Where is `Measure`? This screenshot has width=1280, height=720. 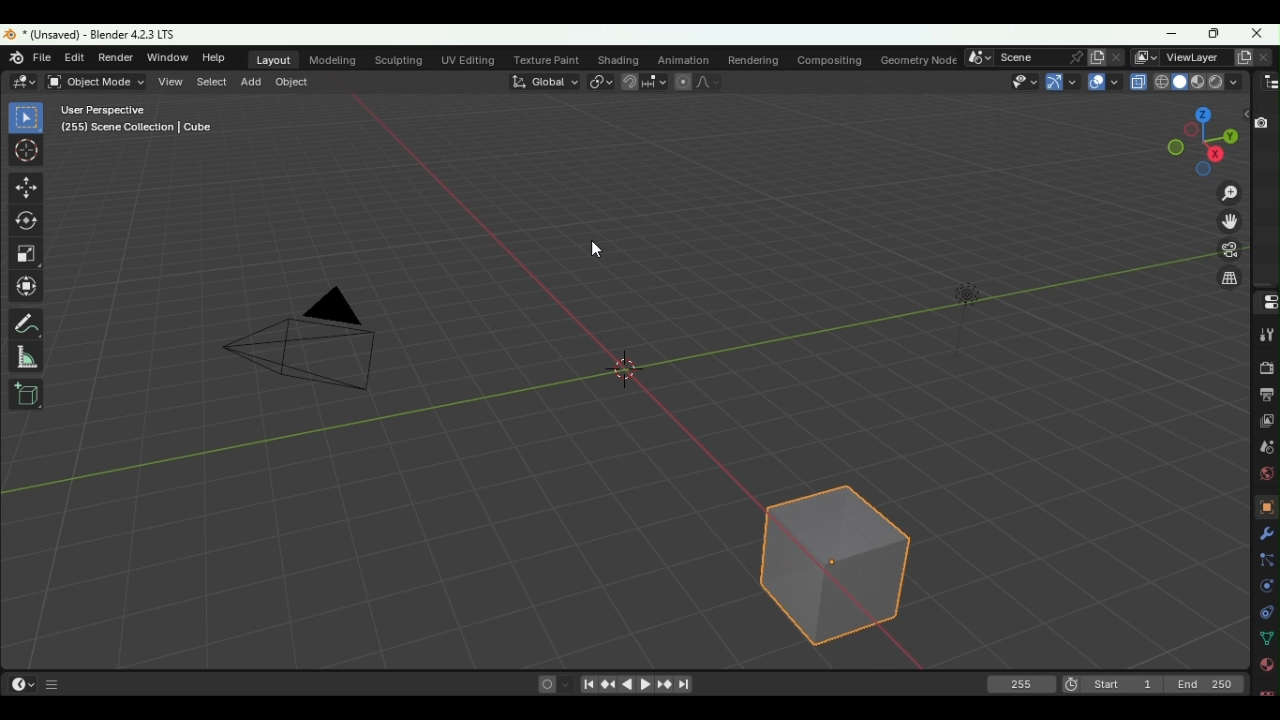
Measure is located at coordinates (25, 356).